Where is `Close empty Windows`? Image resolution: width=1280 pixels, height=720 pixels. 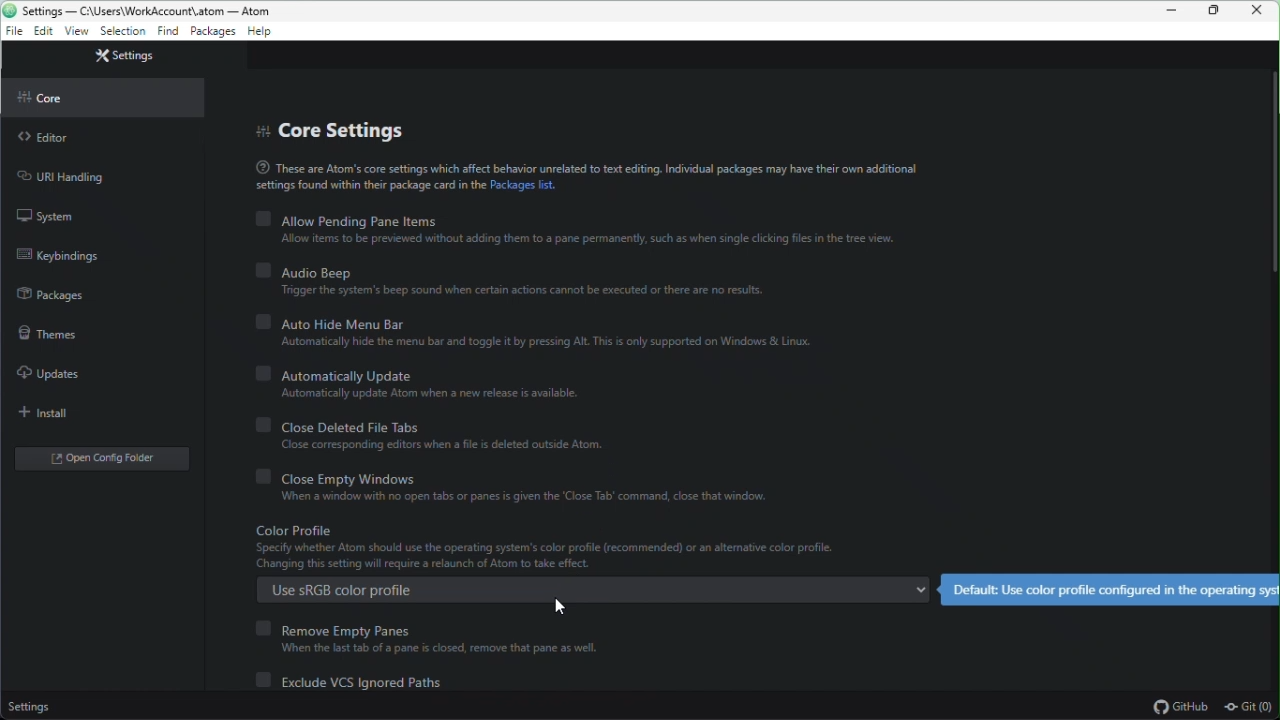 Close empty Windows is located at coordinates (512, 489).